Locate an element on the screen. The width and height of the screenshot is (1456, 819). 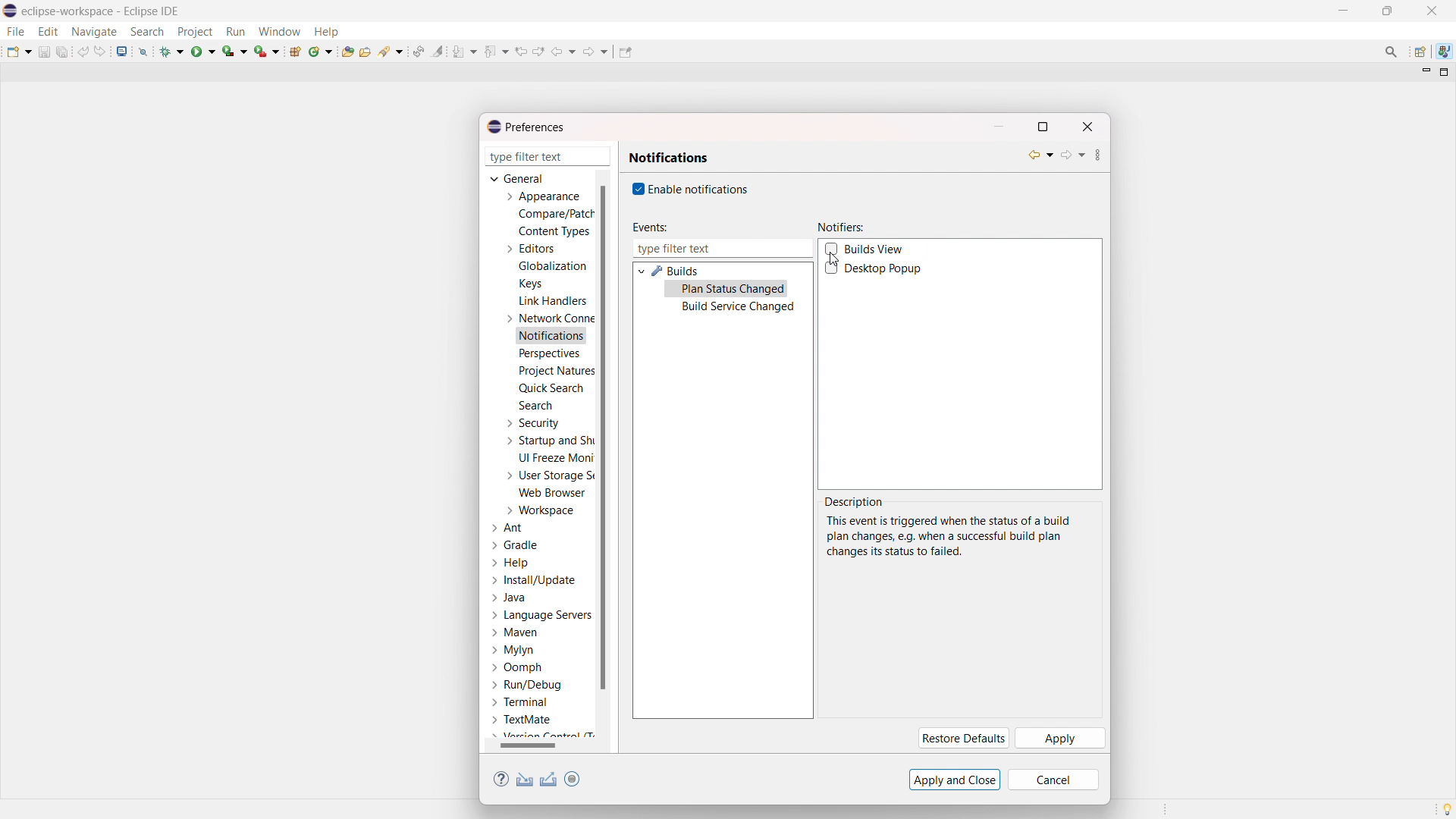
apply and close is located at coordinates (955, 780).